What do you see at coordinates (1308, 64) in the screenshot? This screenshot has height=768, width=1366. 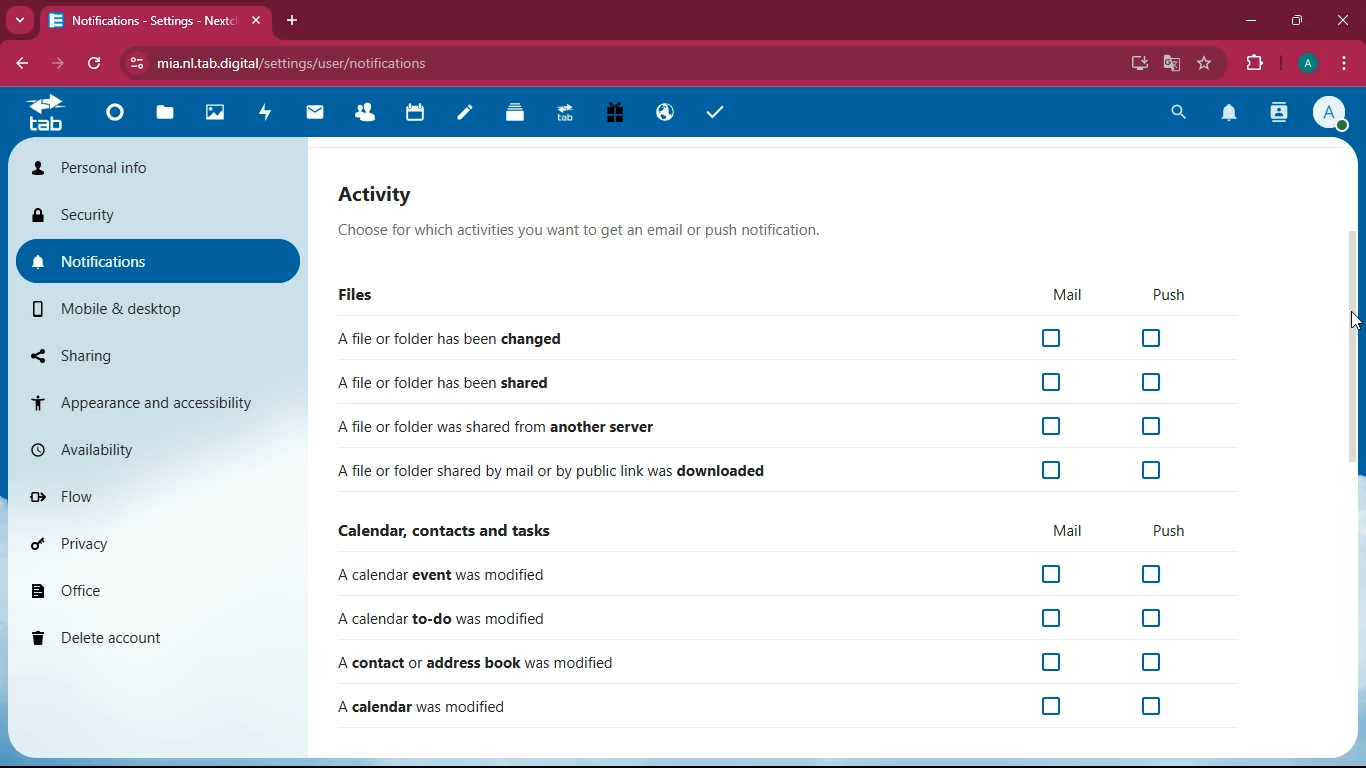 I see `profile` at bounding box center [1308, 64].